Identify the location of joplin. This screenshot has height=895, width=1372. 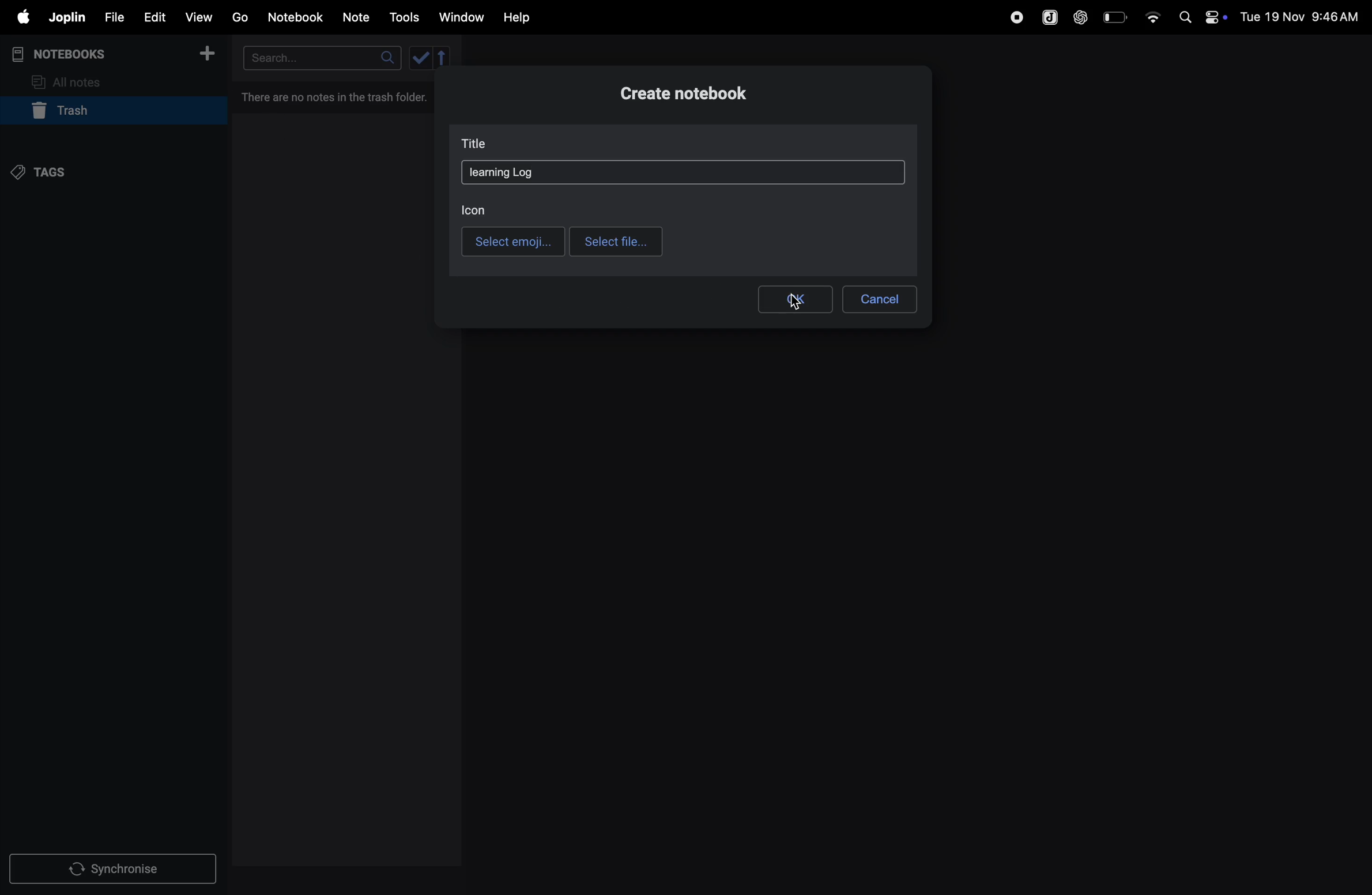
(66, 17).